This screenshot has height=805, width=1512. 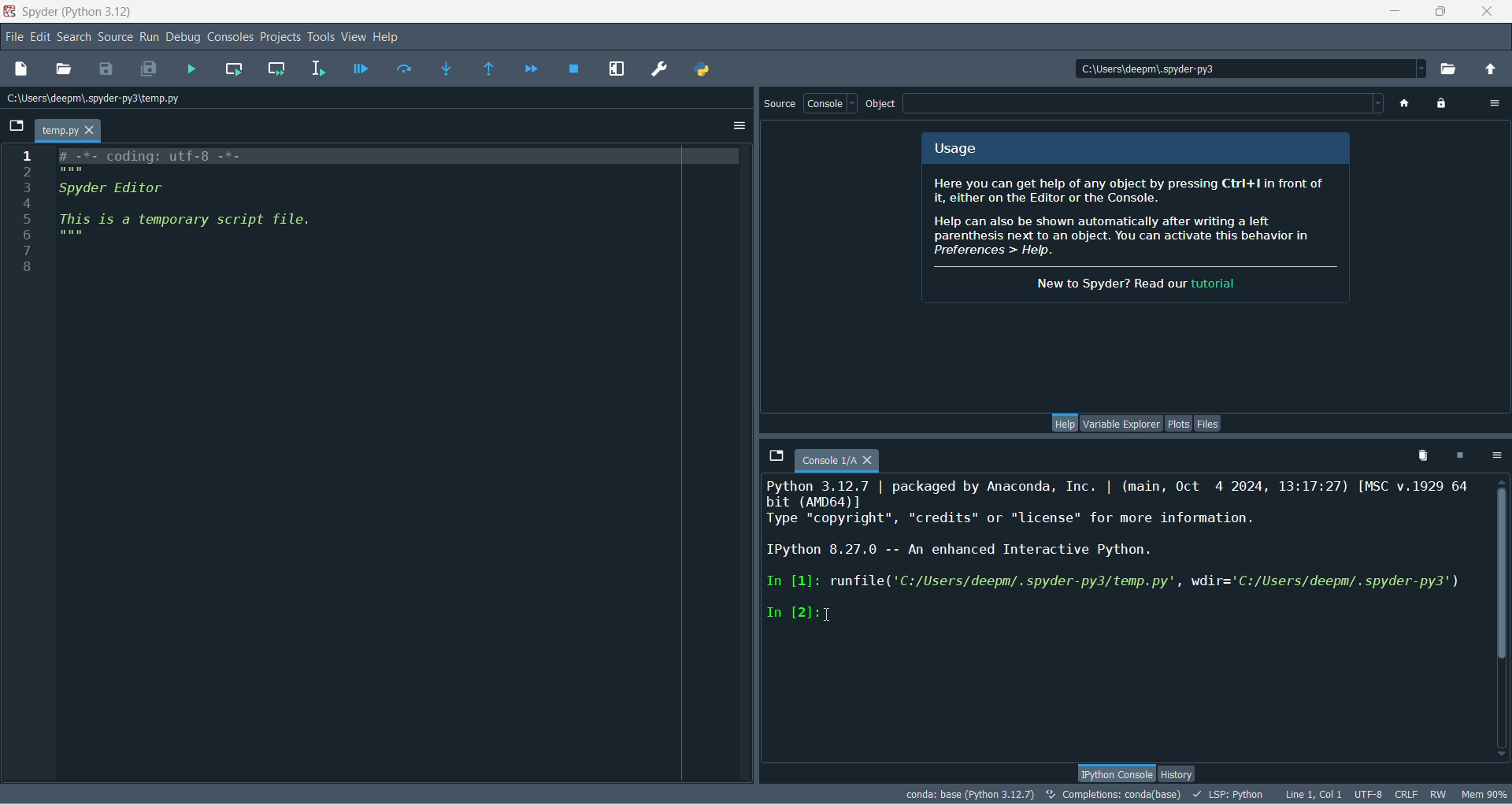 I want to click on maximize, so click(x=1440, y=12).